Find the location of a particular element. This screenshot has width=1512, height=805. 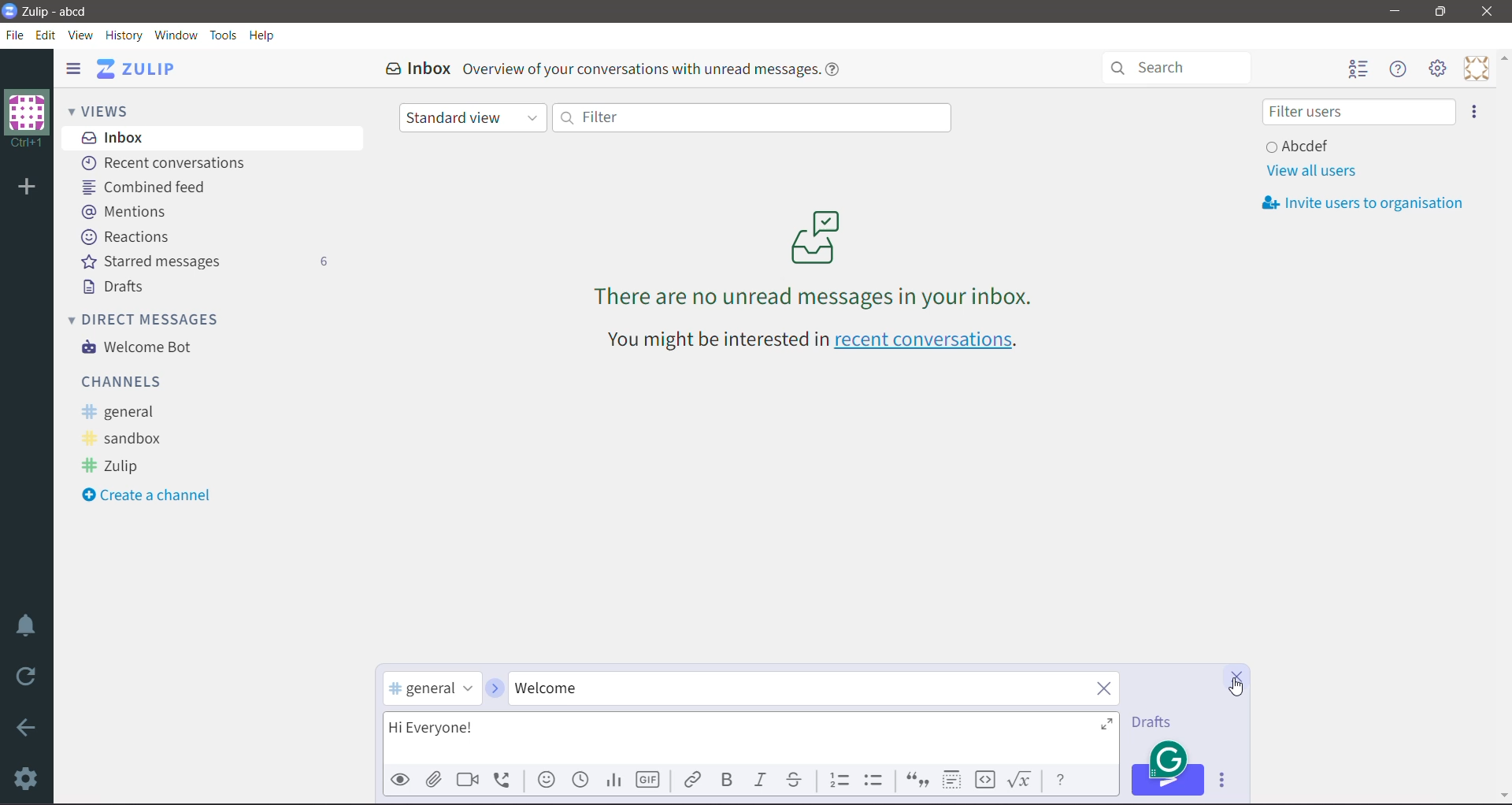

Personal Menu is located at coordinates (1477, 69).